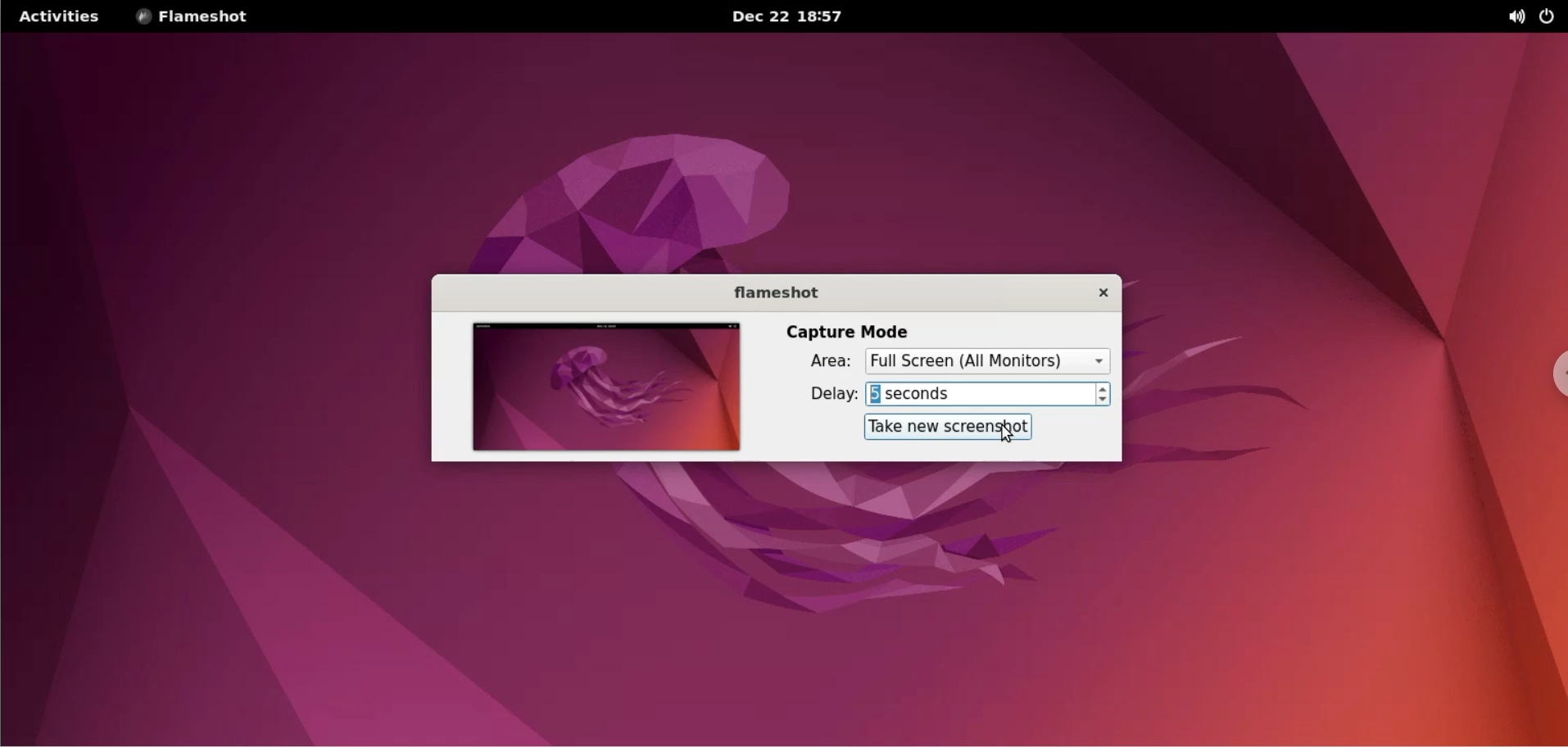  Describe the element at coordinates (1552, 376) in the screenshot. I see `chrome options` at that location.